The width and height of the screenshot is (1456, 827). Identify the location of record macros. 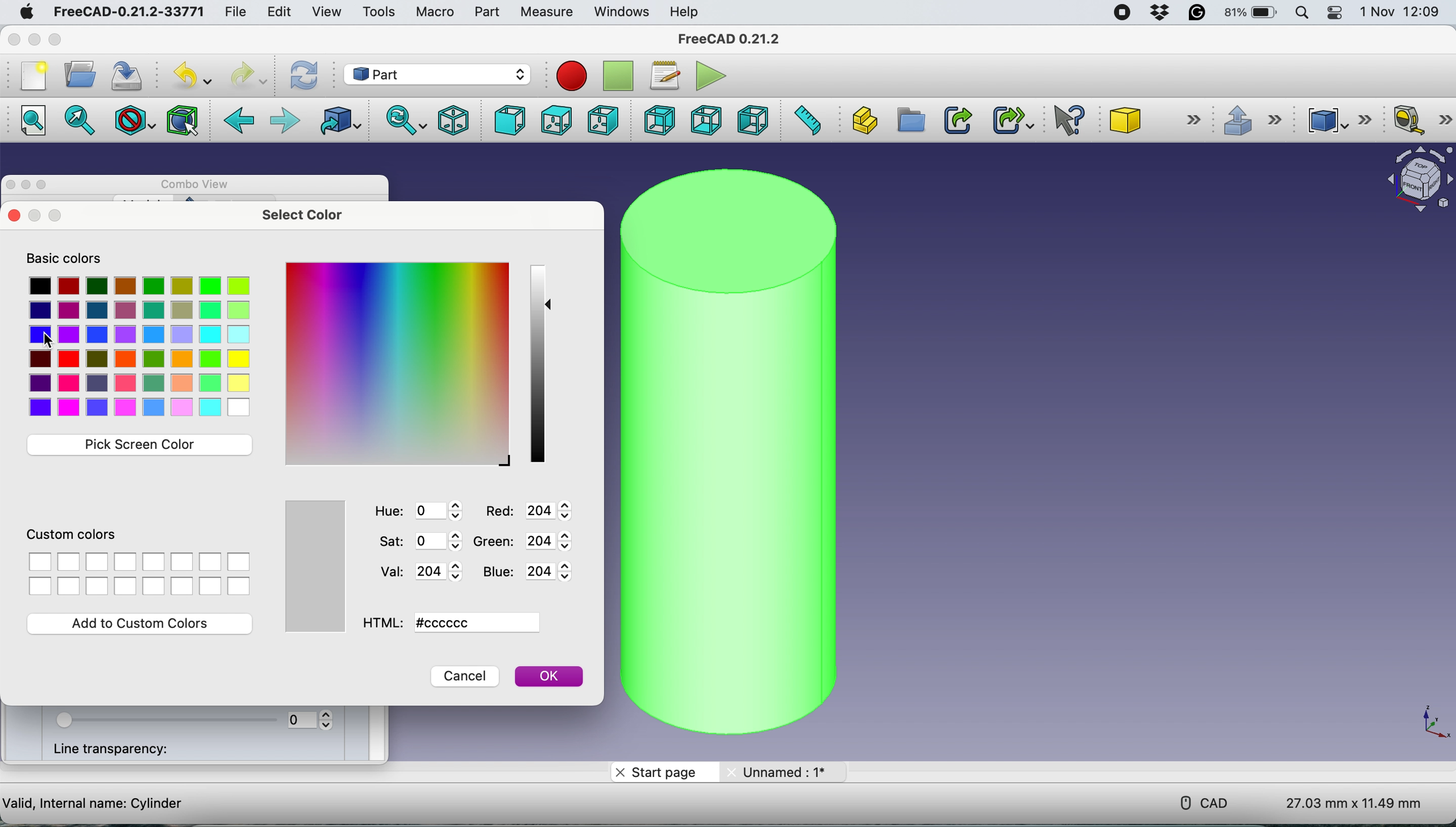
(570, 76).